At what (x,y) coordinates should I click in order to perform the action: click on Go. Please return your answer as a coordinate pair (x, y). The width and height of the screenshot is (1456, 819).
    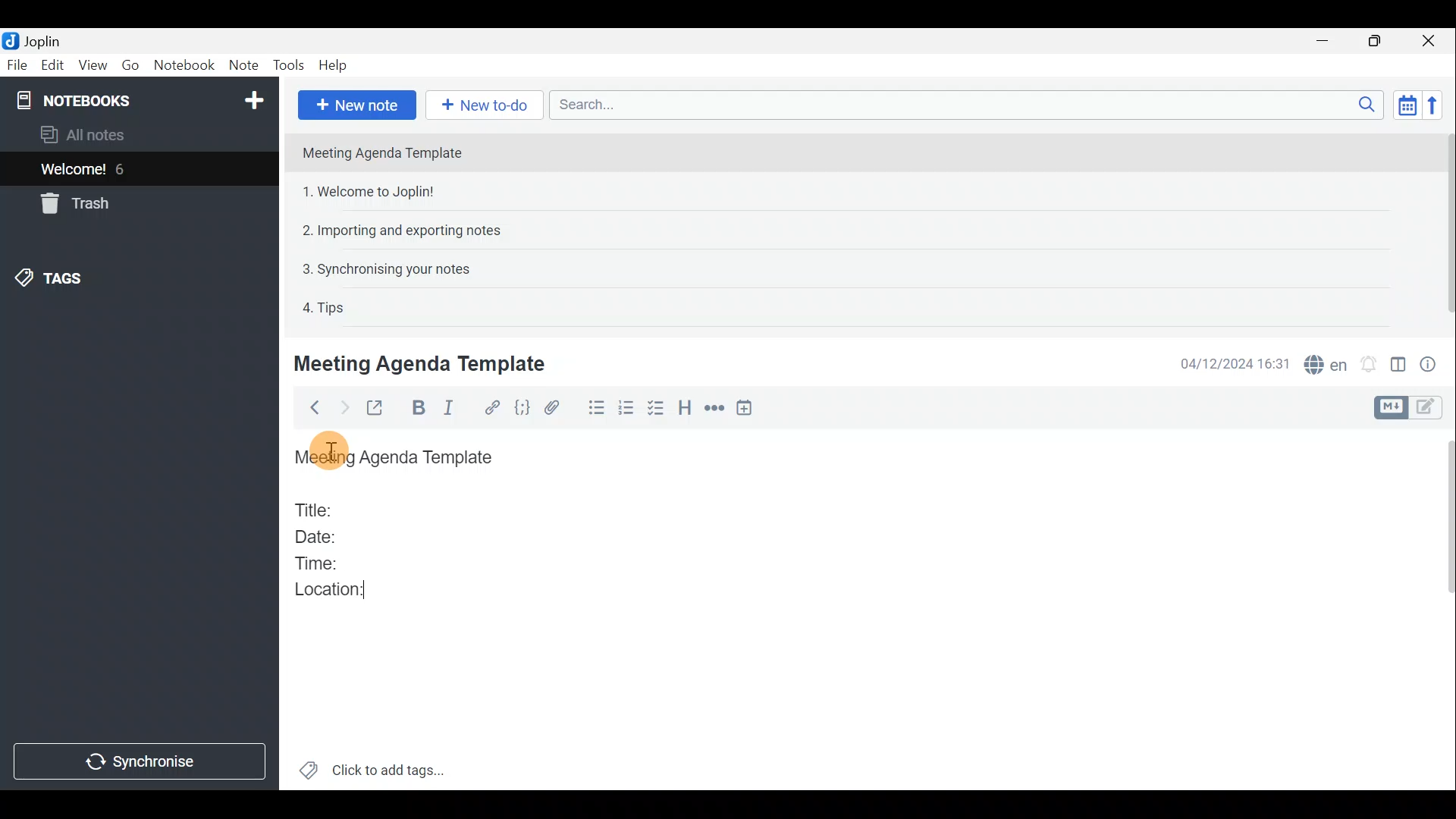
    Looking at the image, I should click on (130, 64).